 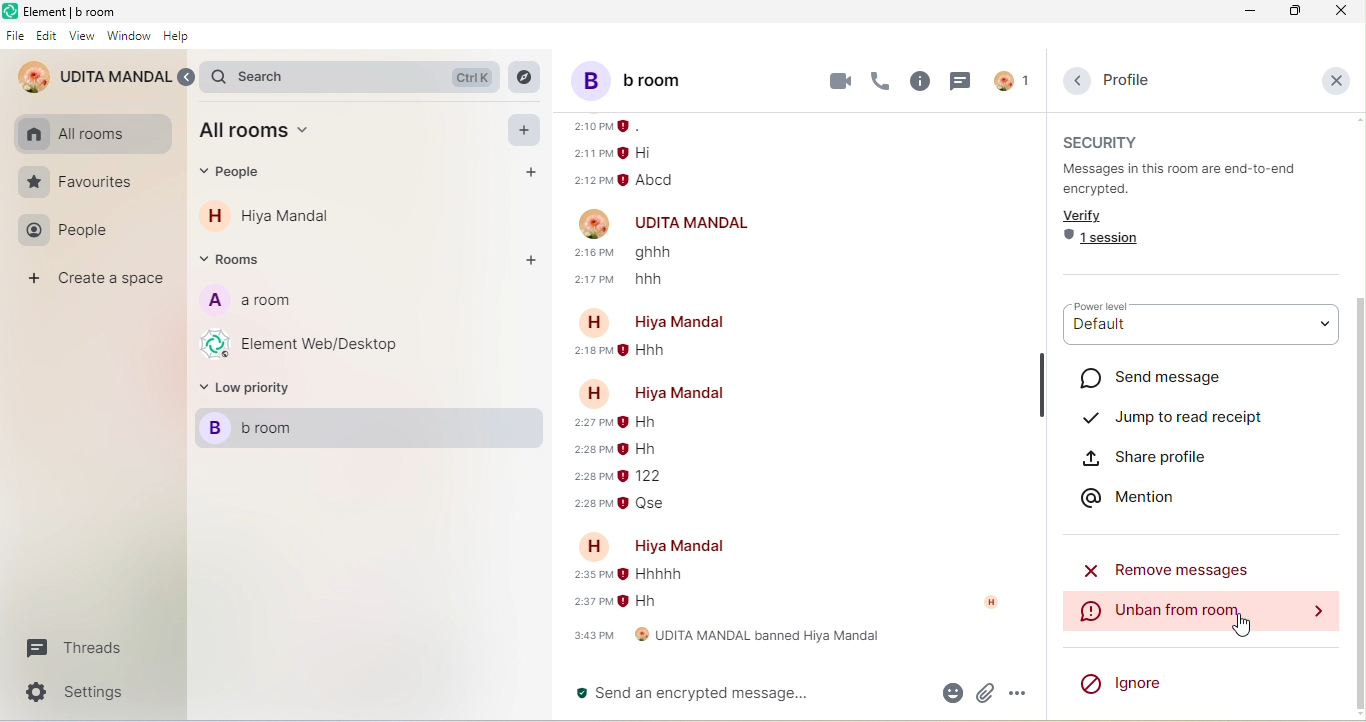 I want to click on b room, so click(x=654, y=79).